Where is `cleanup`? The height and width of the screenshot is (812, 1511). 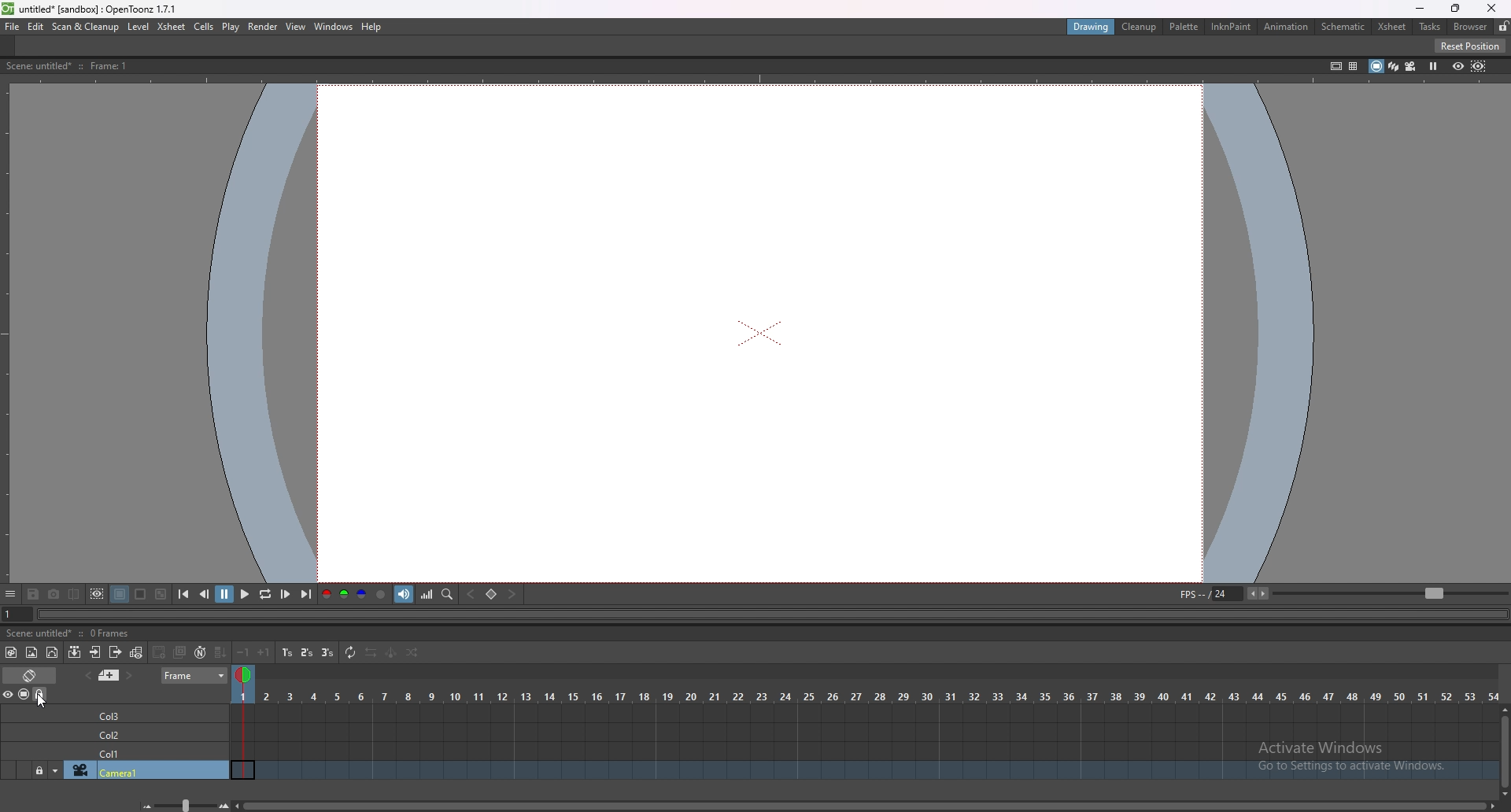
cleanup is located at coordinates (1140, 28).